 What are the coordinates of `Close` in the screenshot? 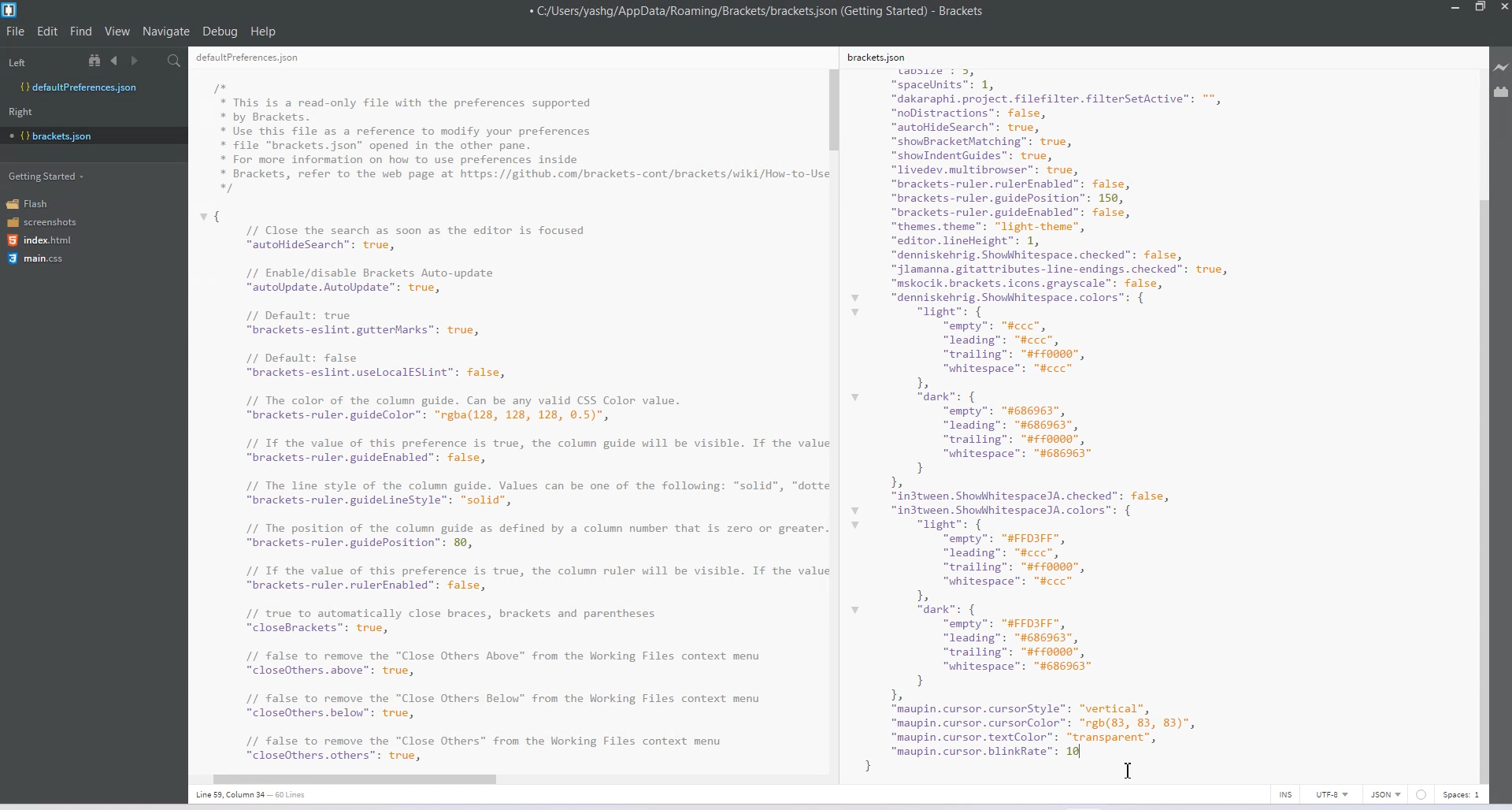 It's located at (1503, 9).